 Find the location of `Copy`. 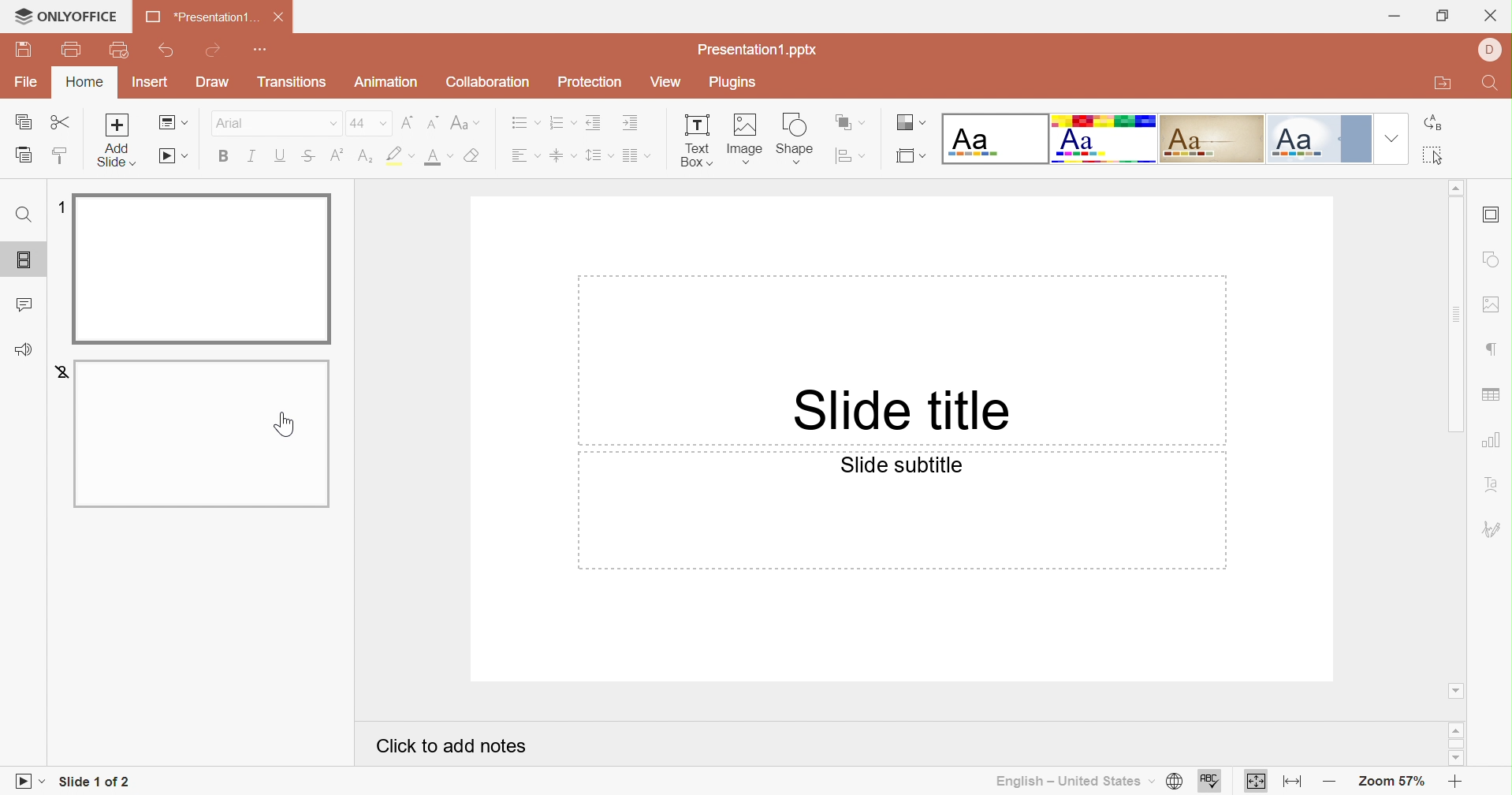

Copy is located at coordinates (23, 121).